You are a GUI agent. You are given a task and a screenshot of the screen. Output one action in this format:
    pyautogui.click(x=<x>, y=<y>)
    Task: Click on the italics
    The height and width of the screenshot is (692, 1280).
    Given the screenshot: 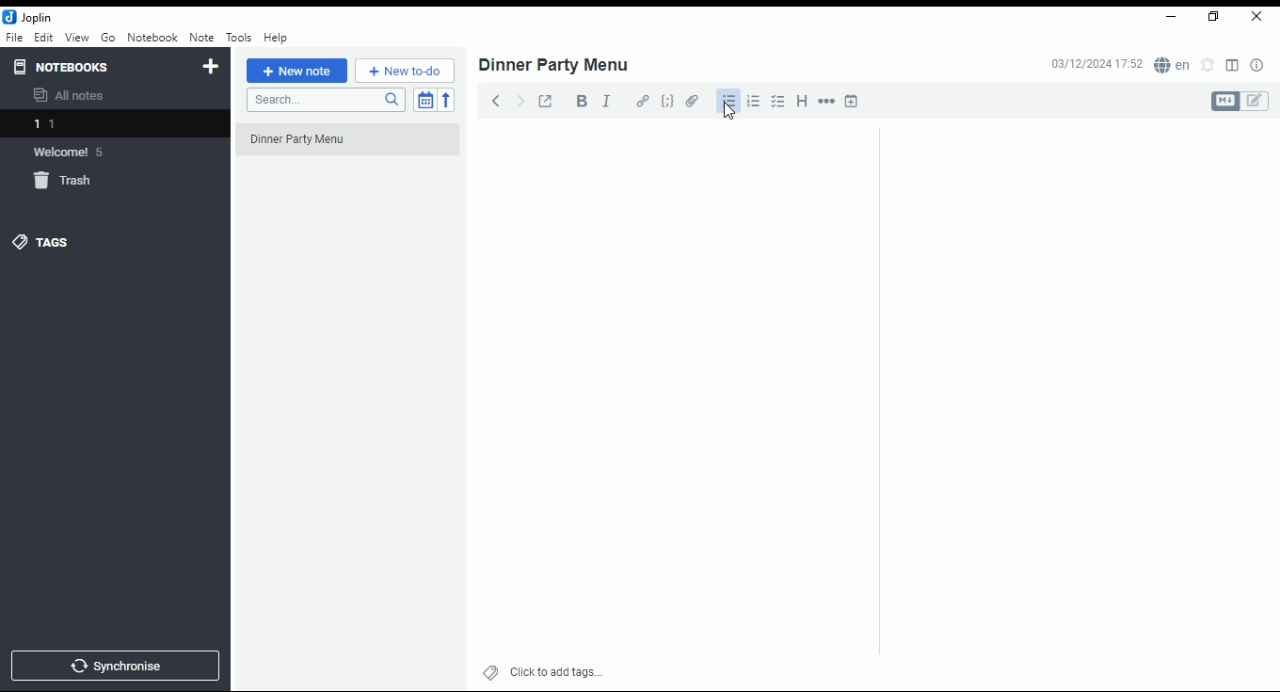 What is the action you would take?
    pyautogui.click(x=607, y=100)
    